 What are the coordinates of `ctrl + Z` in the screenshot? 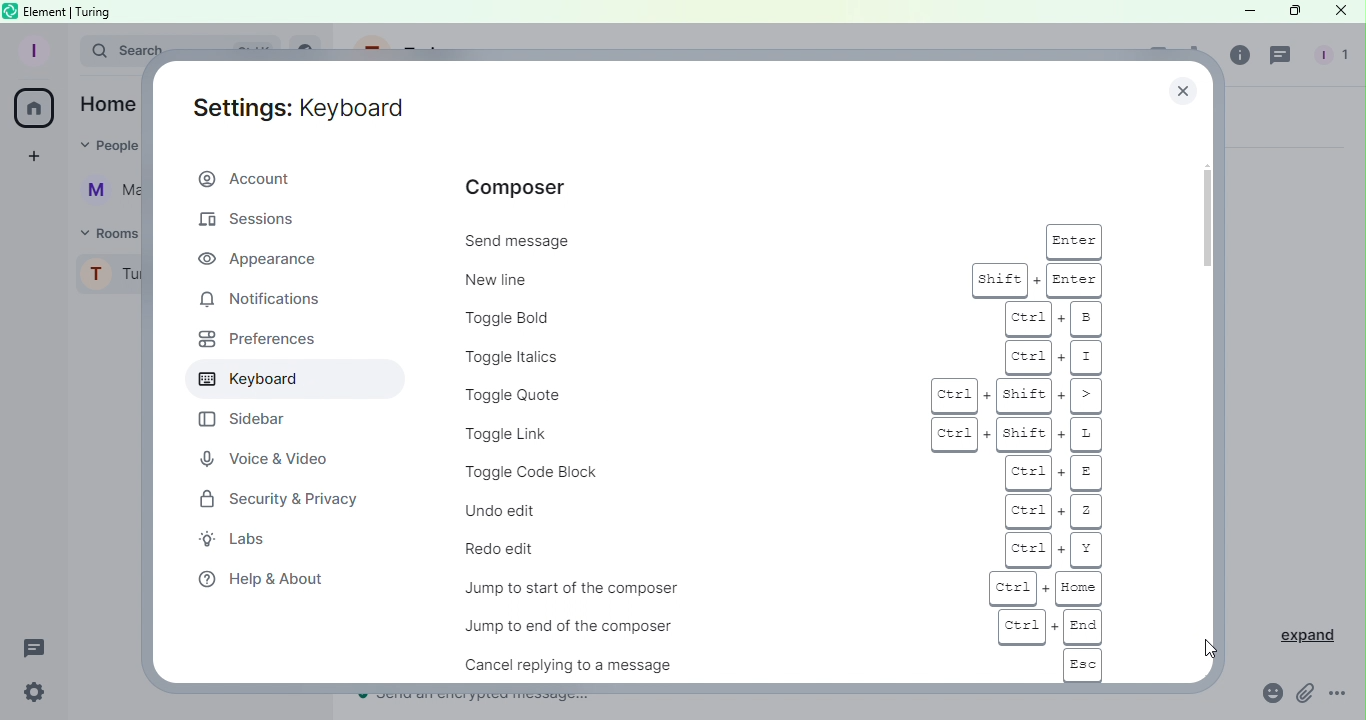 It's located at (1055, 510).